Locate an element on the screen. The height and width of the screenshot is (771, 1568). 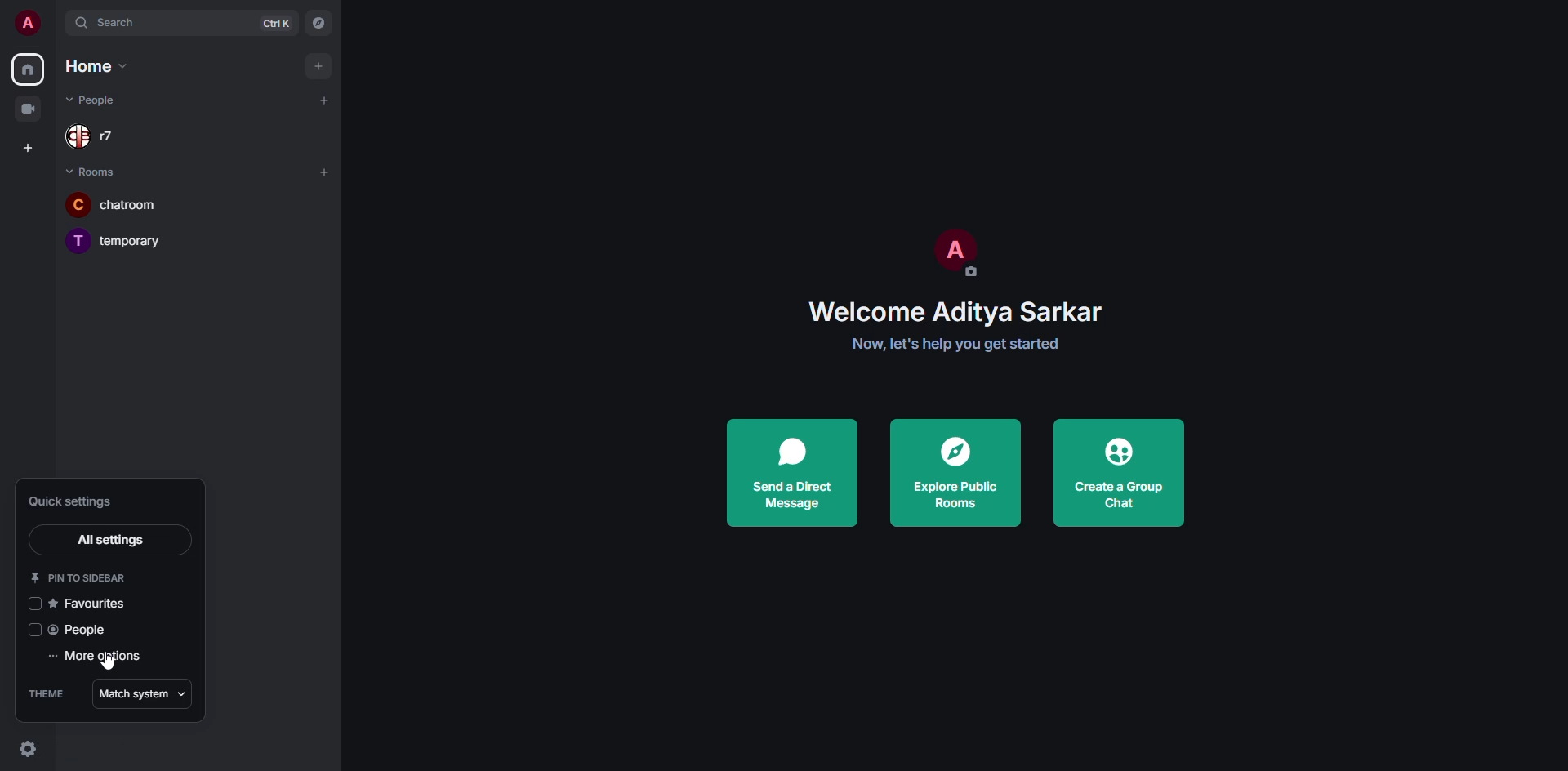
send a direct message is located at coordinates (791, 469).